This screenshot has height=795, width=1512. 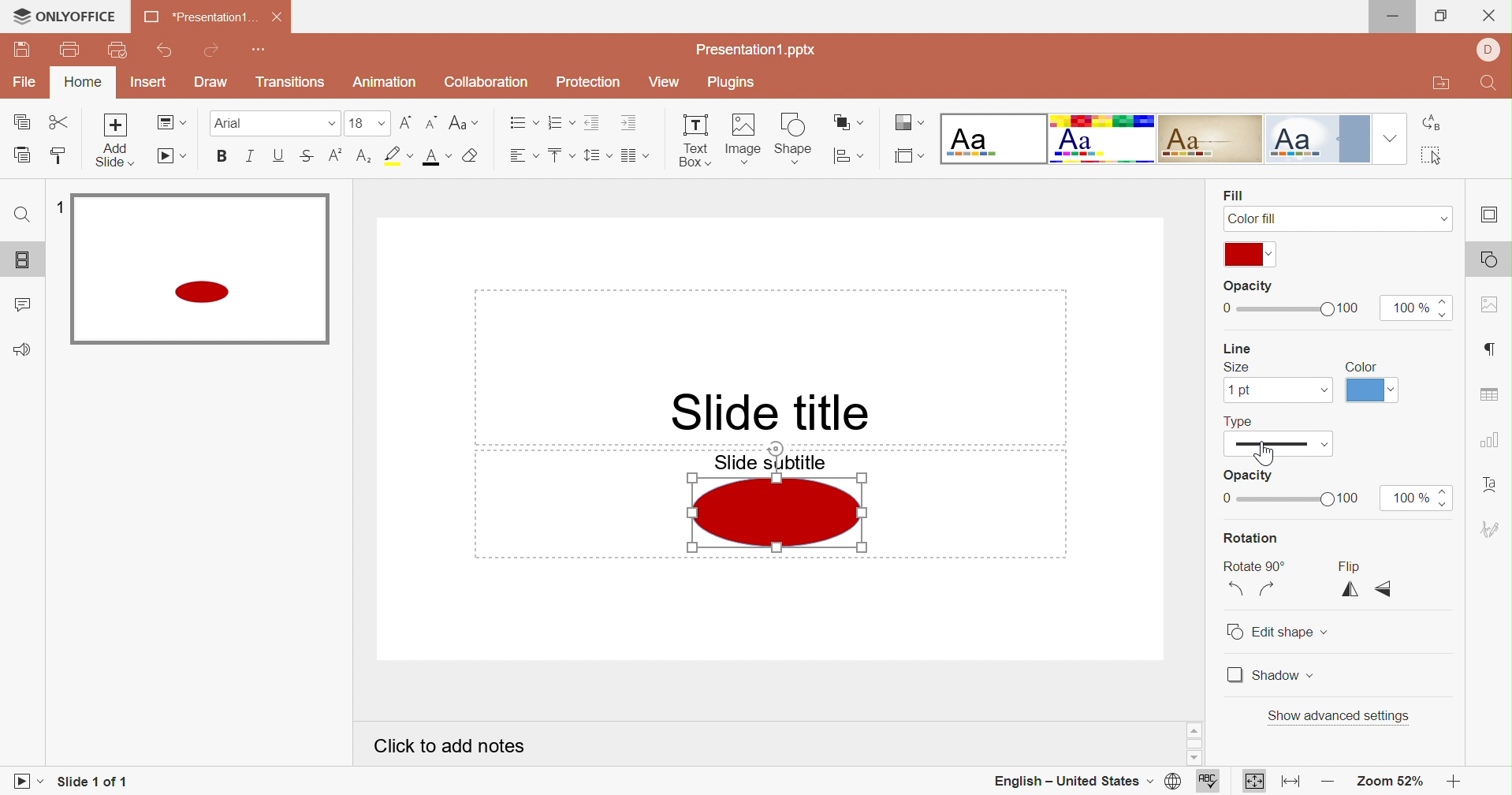 What do you see at coordinates (1418, 308) in the screenshot?
I see `100%` at bounding box center [1418, 308].